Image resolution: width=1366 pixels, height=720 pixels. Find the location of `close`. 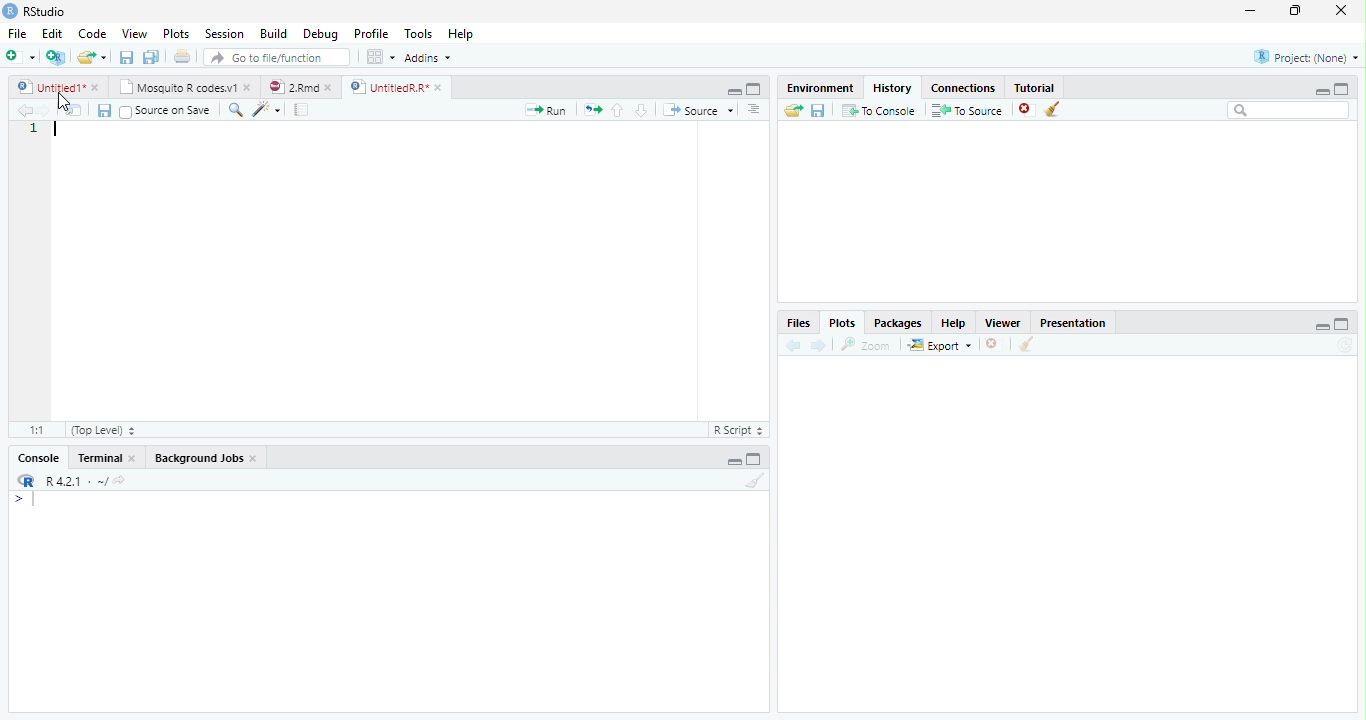

close is located at coordinates (248, 87).